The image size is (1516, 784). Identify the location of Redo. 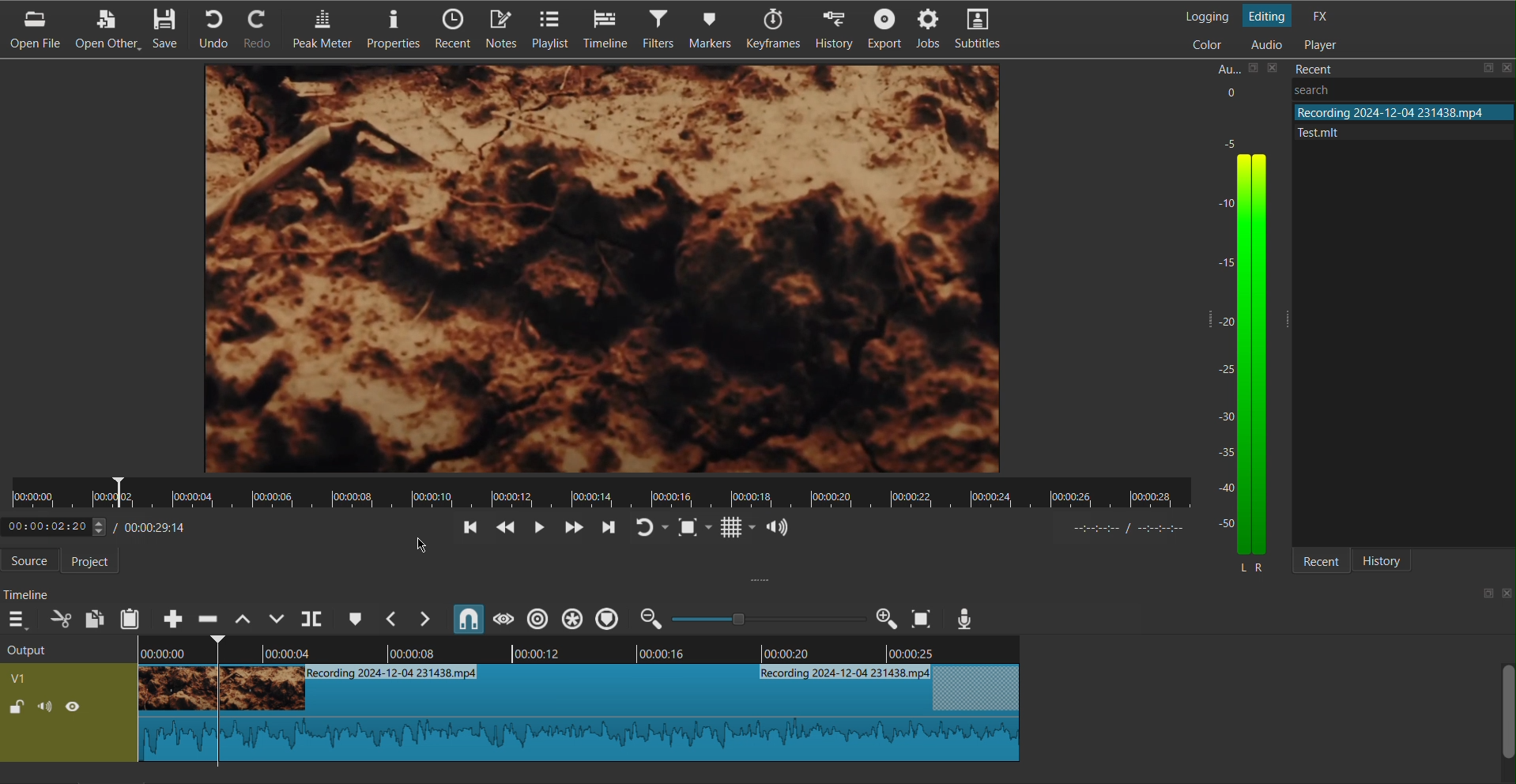
(264, 28).